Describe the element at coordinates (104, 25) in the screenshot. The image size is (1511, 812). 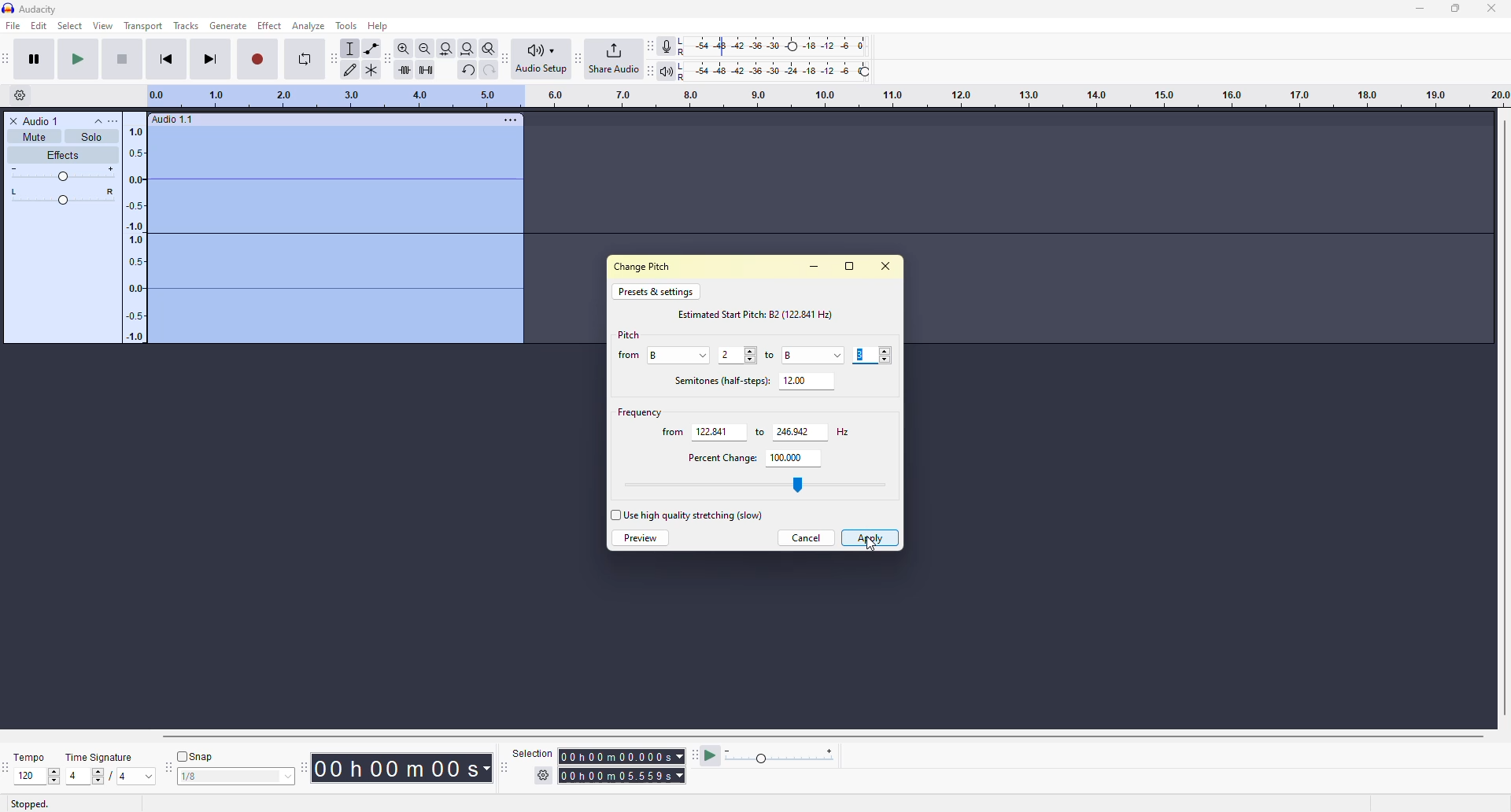
I see `view` at that location.